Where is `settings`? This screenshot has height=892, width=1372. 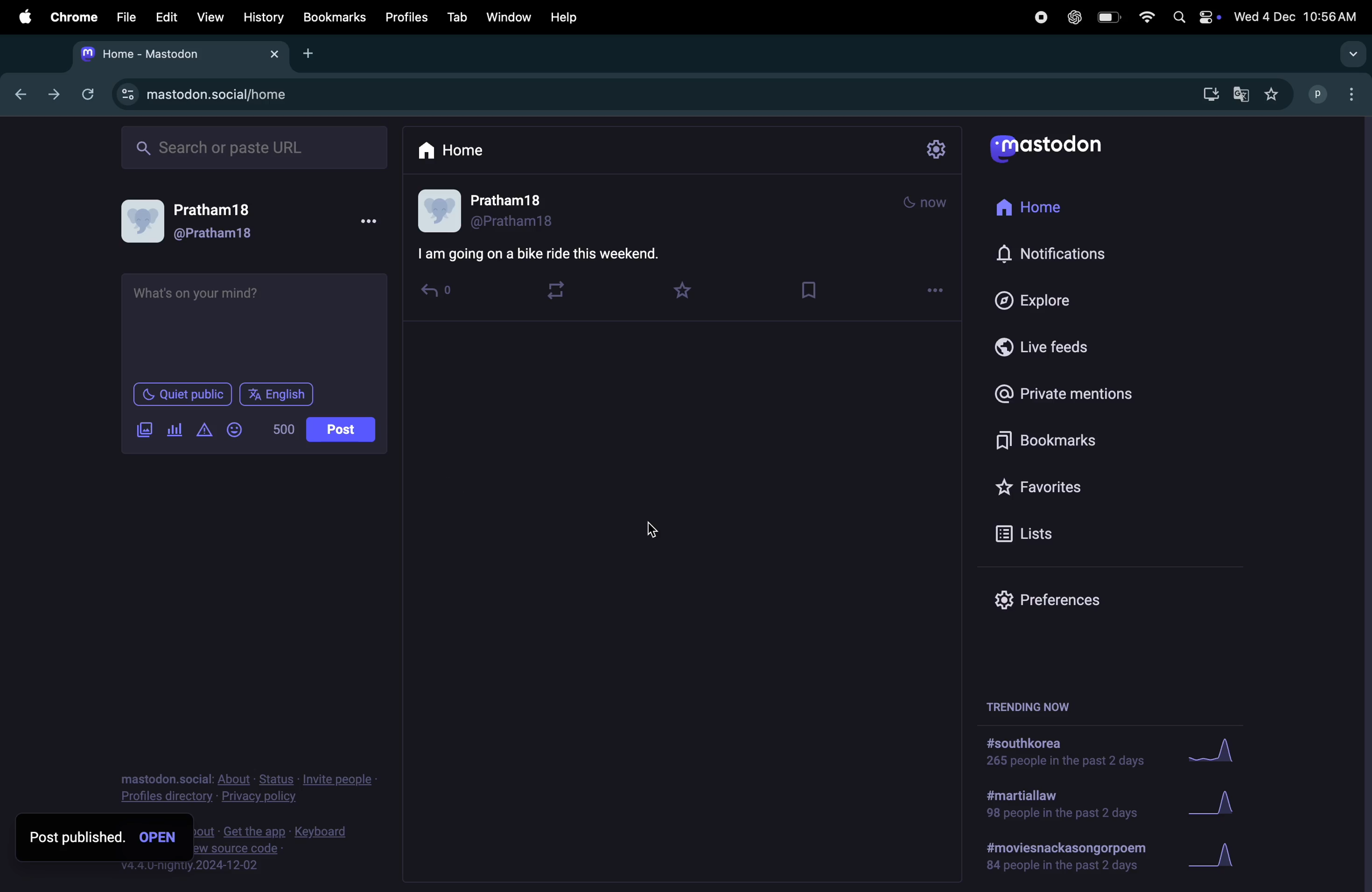 settings is located at coordinates (936, 151).